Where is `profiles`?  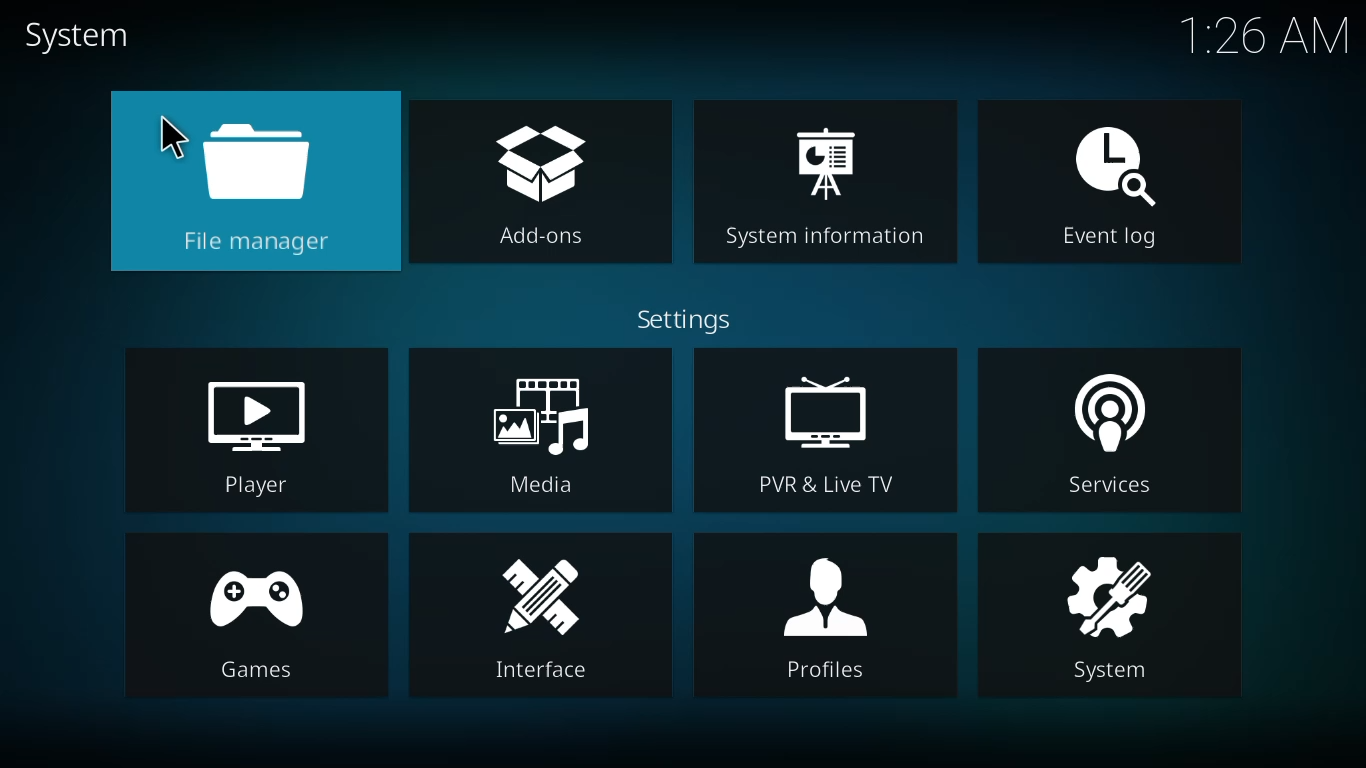 profiles is located at coordinates (826, 619).